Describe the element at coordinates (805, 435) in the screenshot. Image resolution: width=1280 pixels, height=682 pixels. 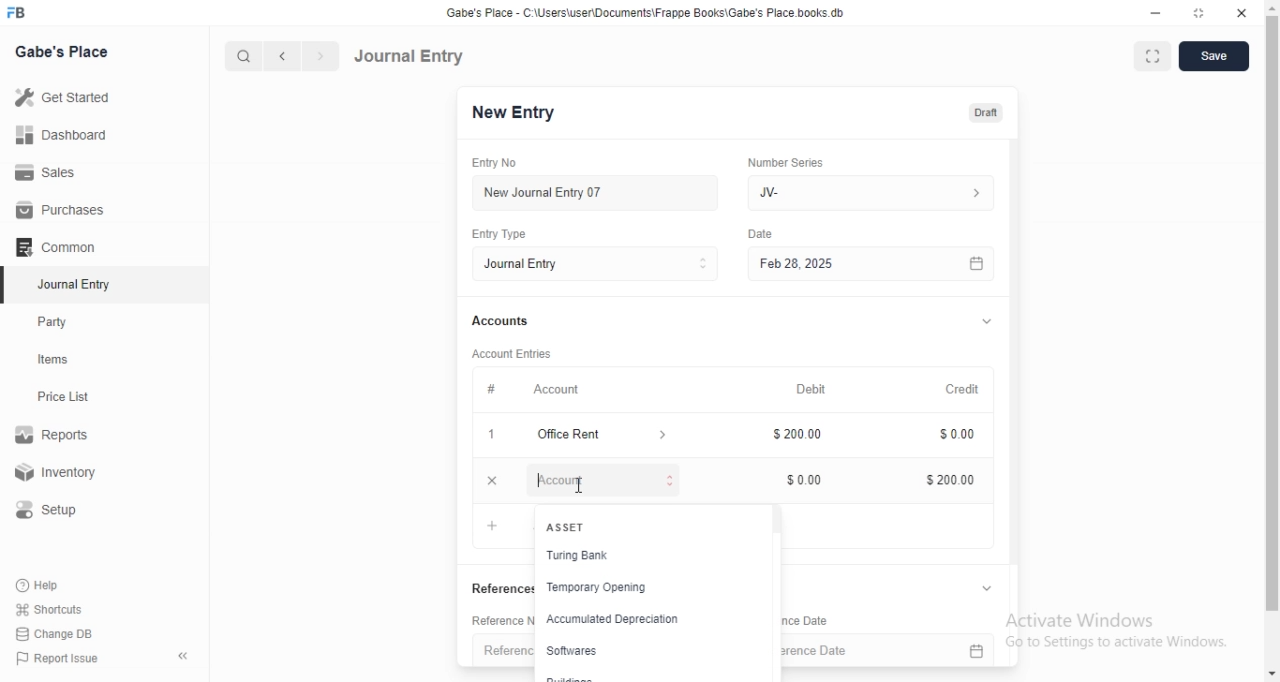
I see `200` at that location.